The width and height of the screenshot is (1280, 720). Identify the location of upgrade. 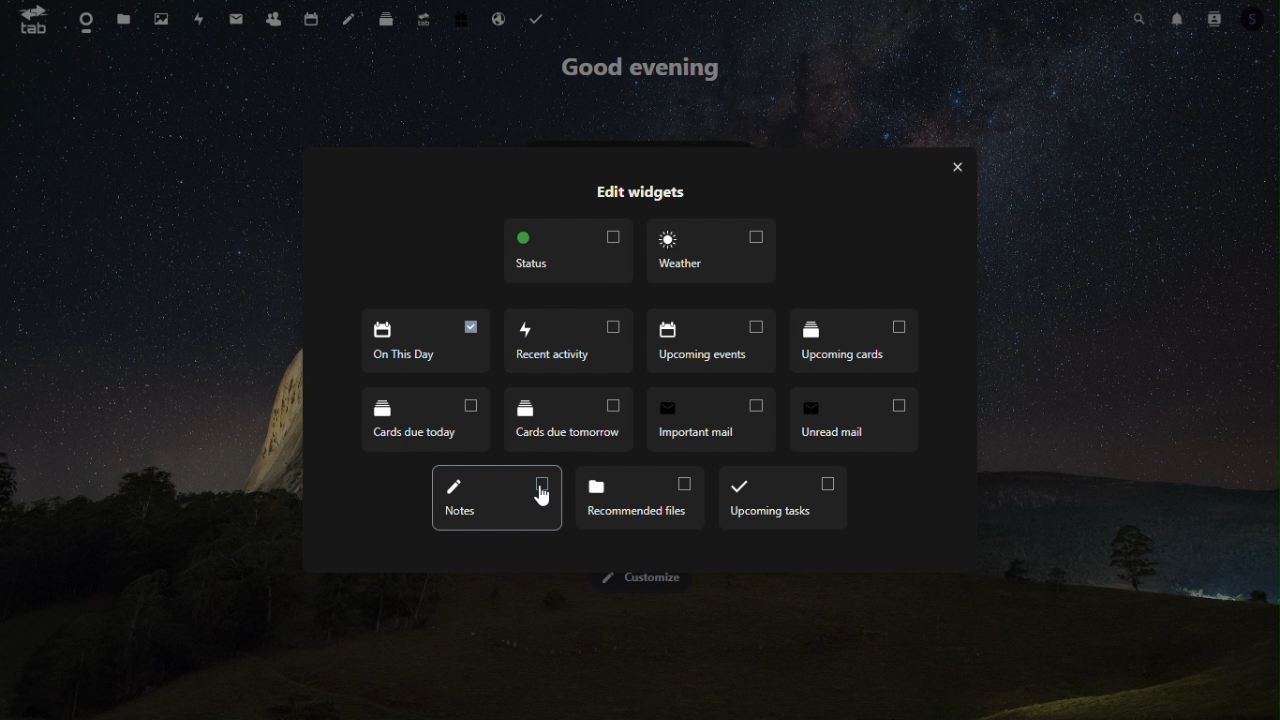
(424, 18).